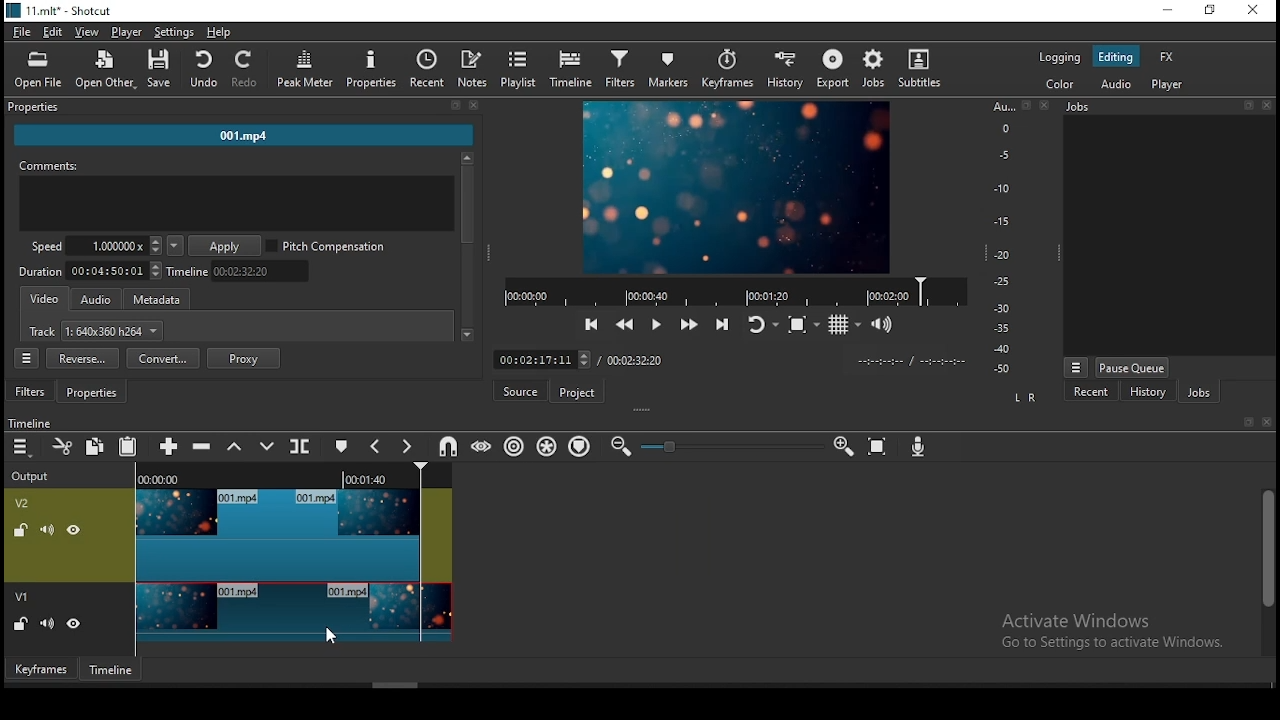 The height and width of the screenshot is (720, 1280). Describe the element at coordinates (1166, 11) in the screenshot. I see `minimize` at that location.